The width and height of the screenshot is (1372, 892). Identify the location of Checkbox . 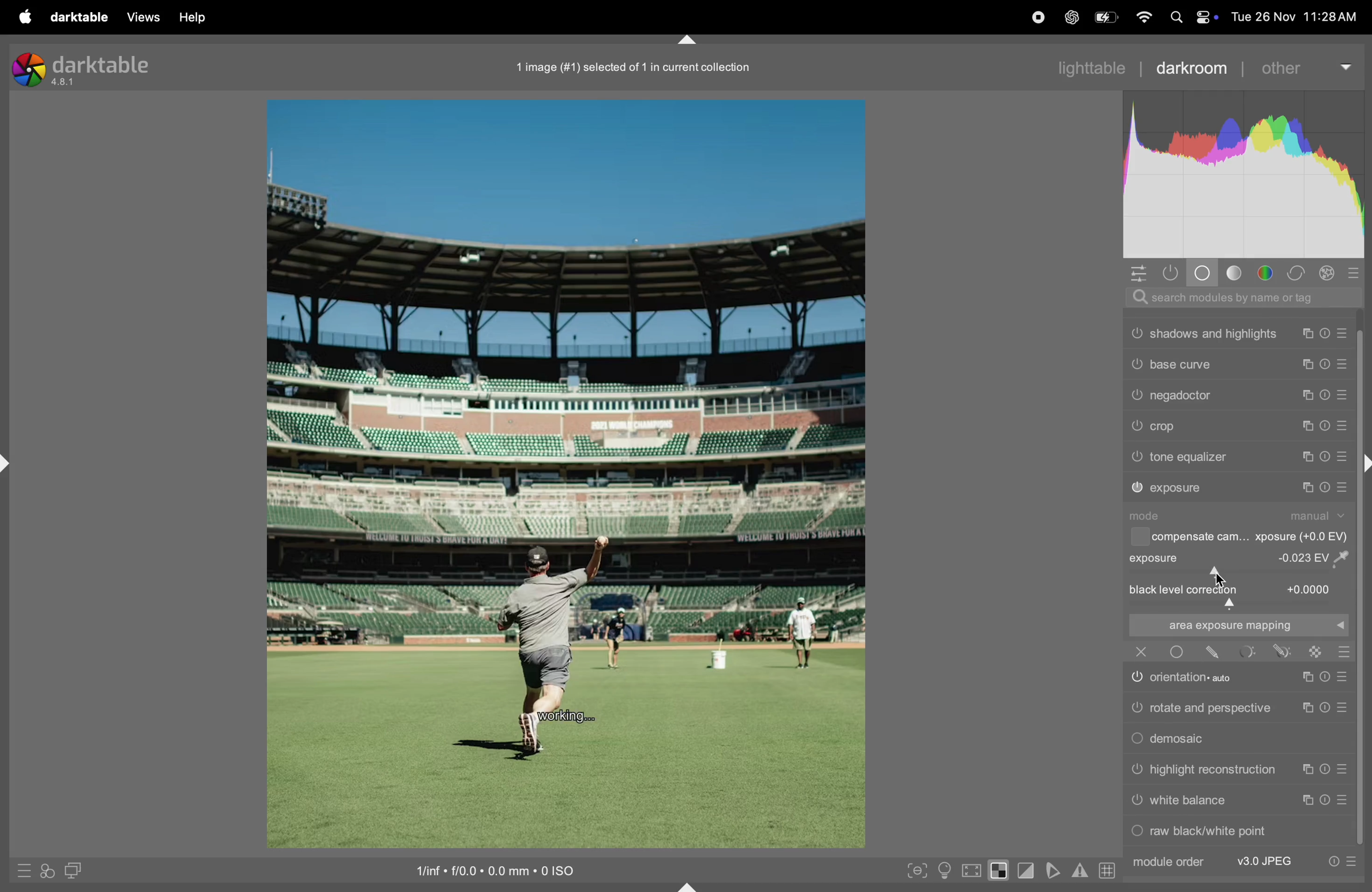
(1138, 537).